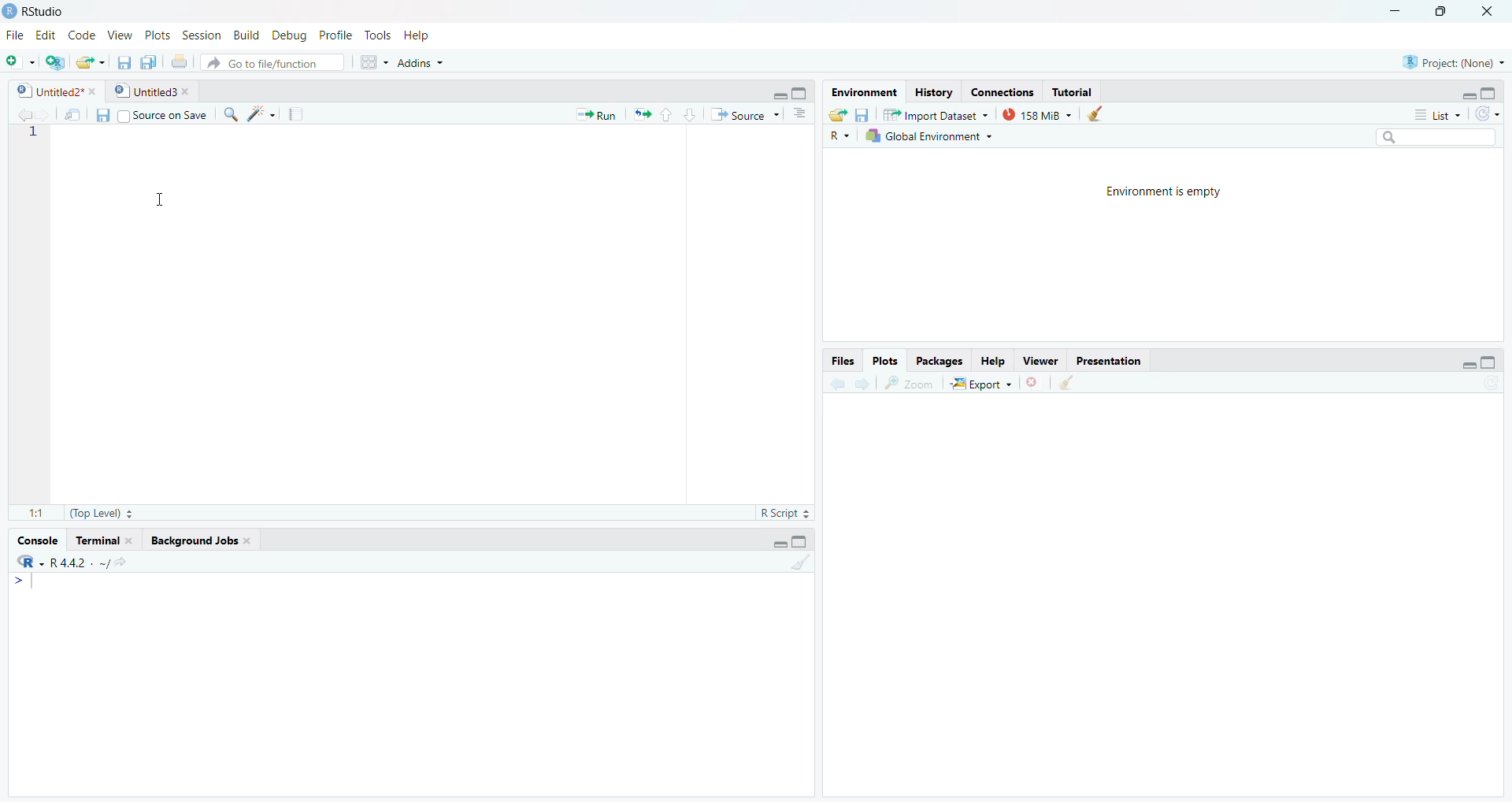 The image size is (1512, 802). I want to click on Plots, so click(888, 360).